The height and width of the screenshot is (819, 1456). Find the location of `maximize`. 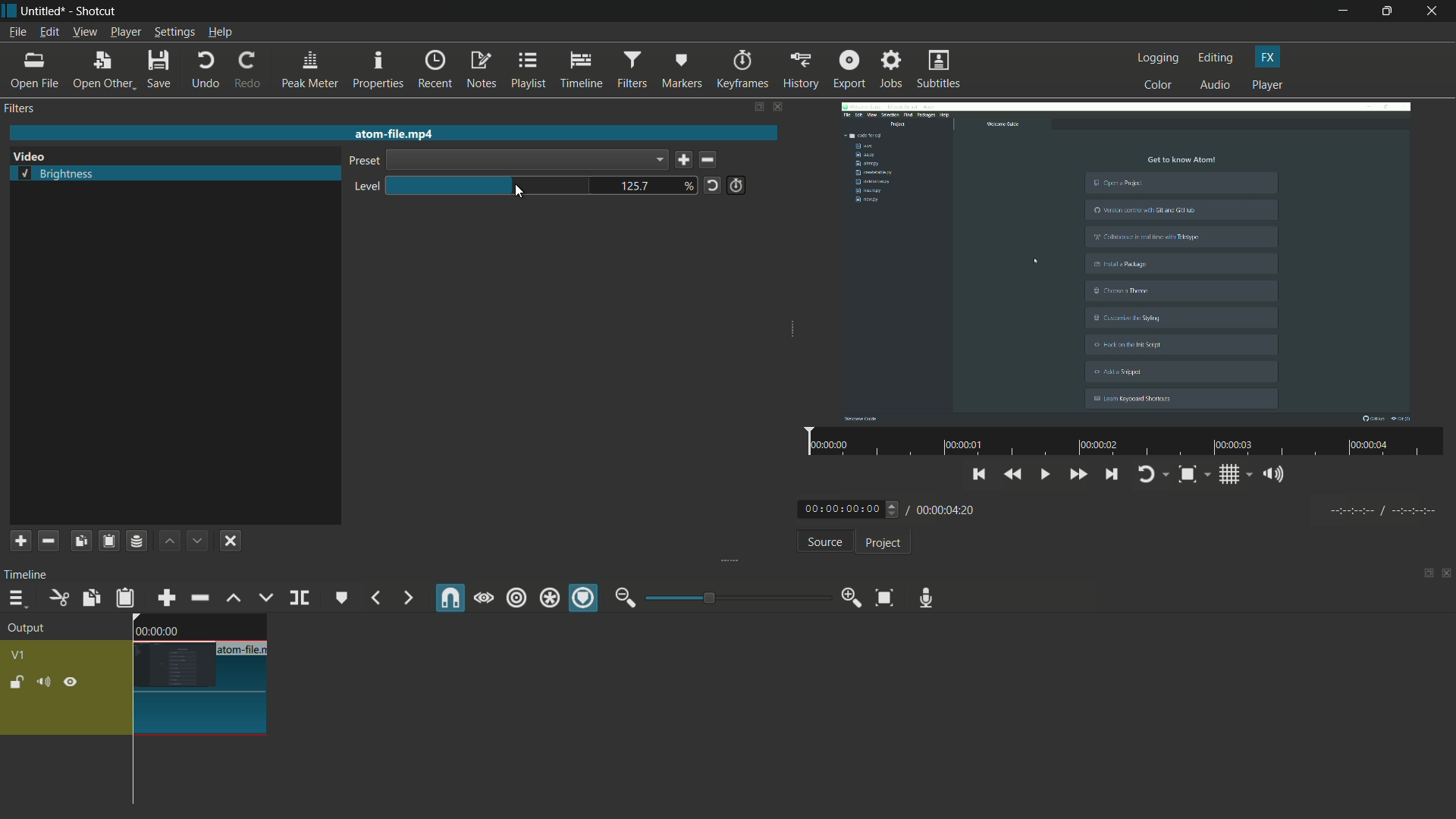

maximize is located at coordinates (1389, 11).